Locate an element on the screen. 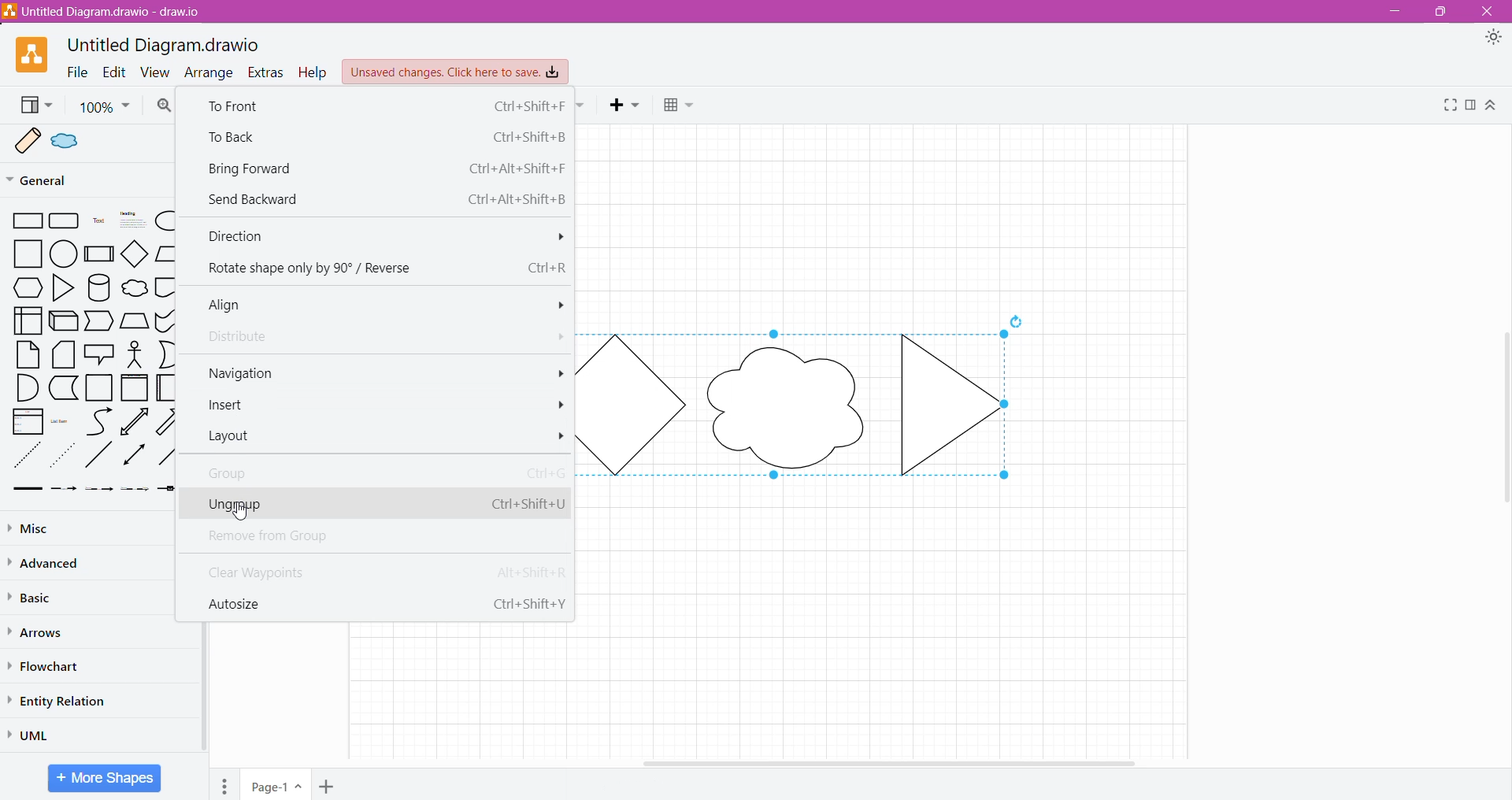  Close is located at coordinates (1492, 12).